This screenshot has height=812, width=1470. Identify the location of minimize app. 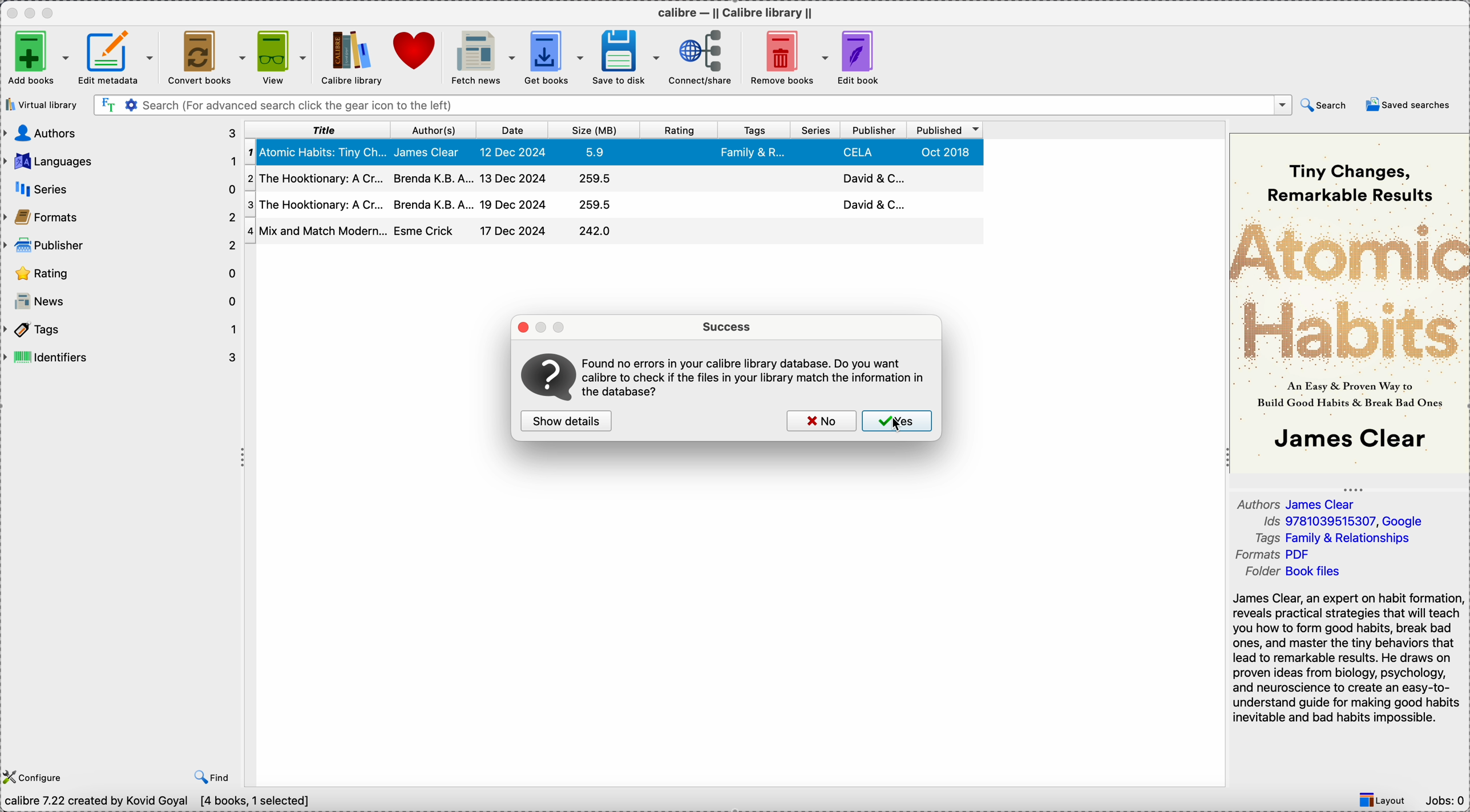
(30, 11).